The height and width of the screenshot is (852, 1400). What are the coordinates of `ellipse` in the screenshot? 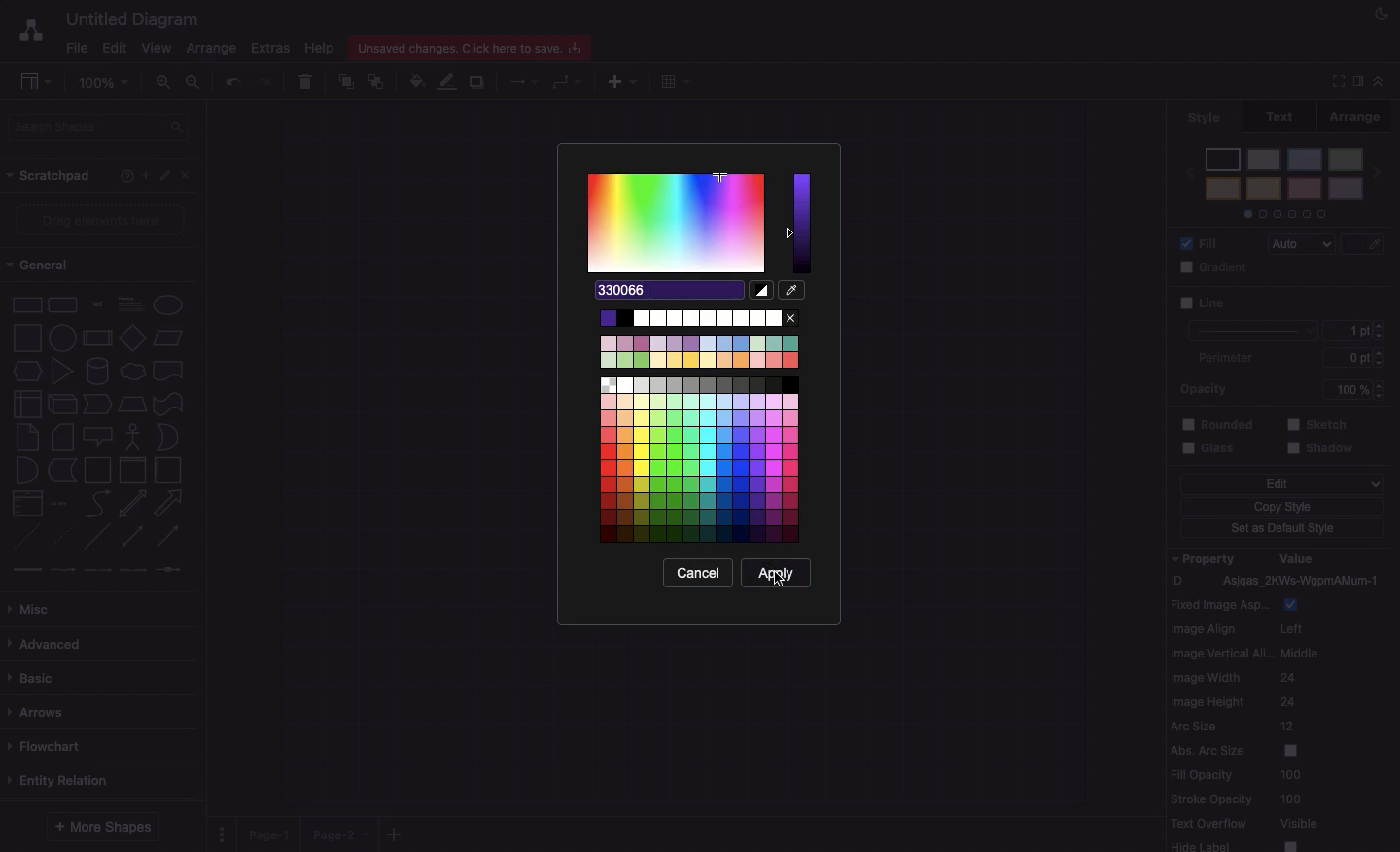 It's located at (168, 302).